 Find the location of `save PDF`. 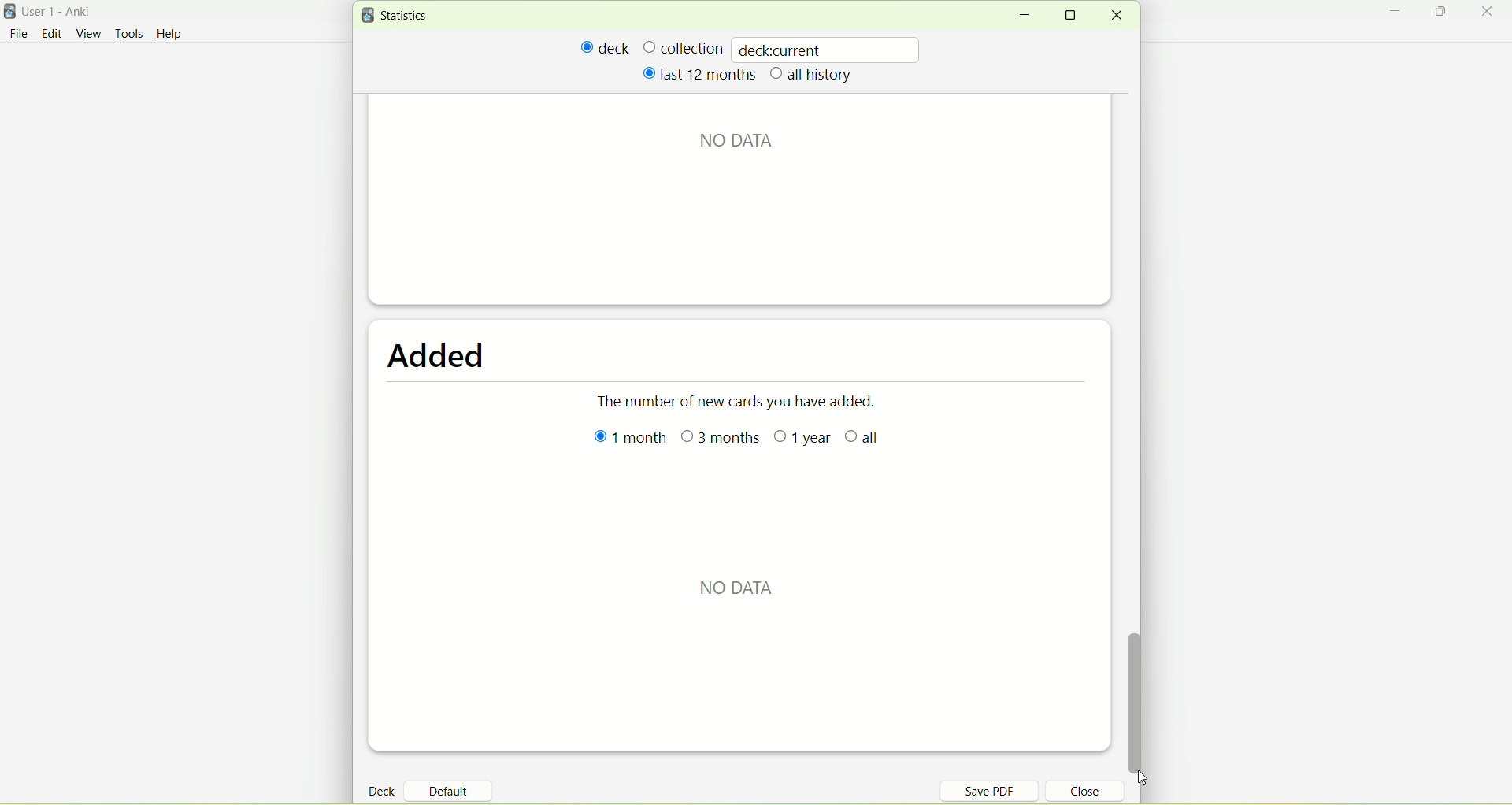

save PDF is located at coordinates (999, 790).